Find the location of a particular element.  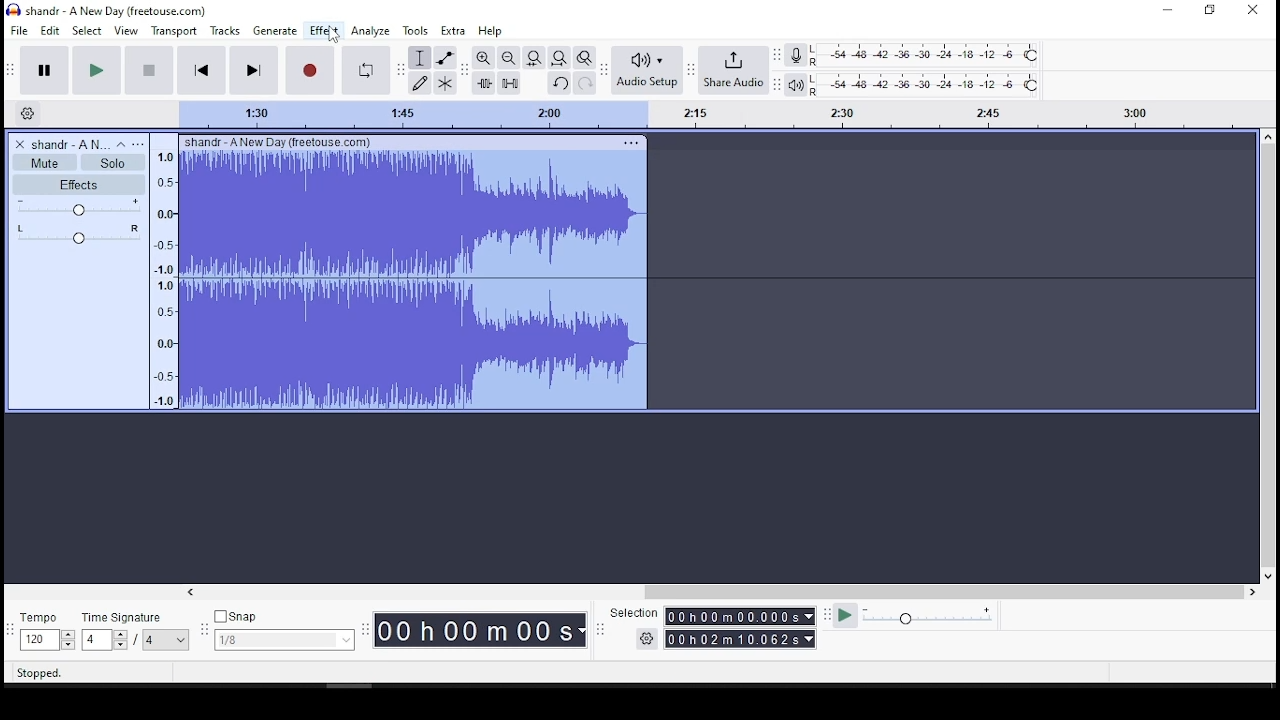

playback level  is located at coordinates (927, 84).